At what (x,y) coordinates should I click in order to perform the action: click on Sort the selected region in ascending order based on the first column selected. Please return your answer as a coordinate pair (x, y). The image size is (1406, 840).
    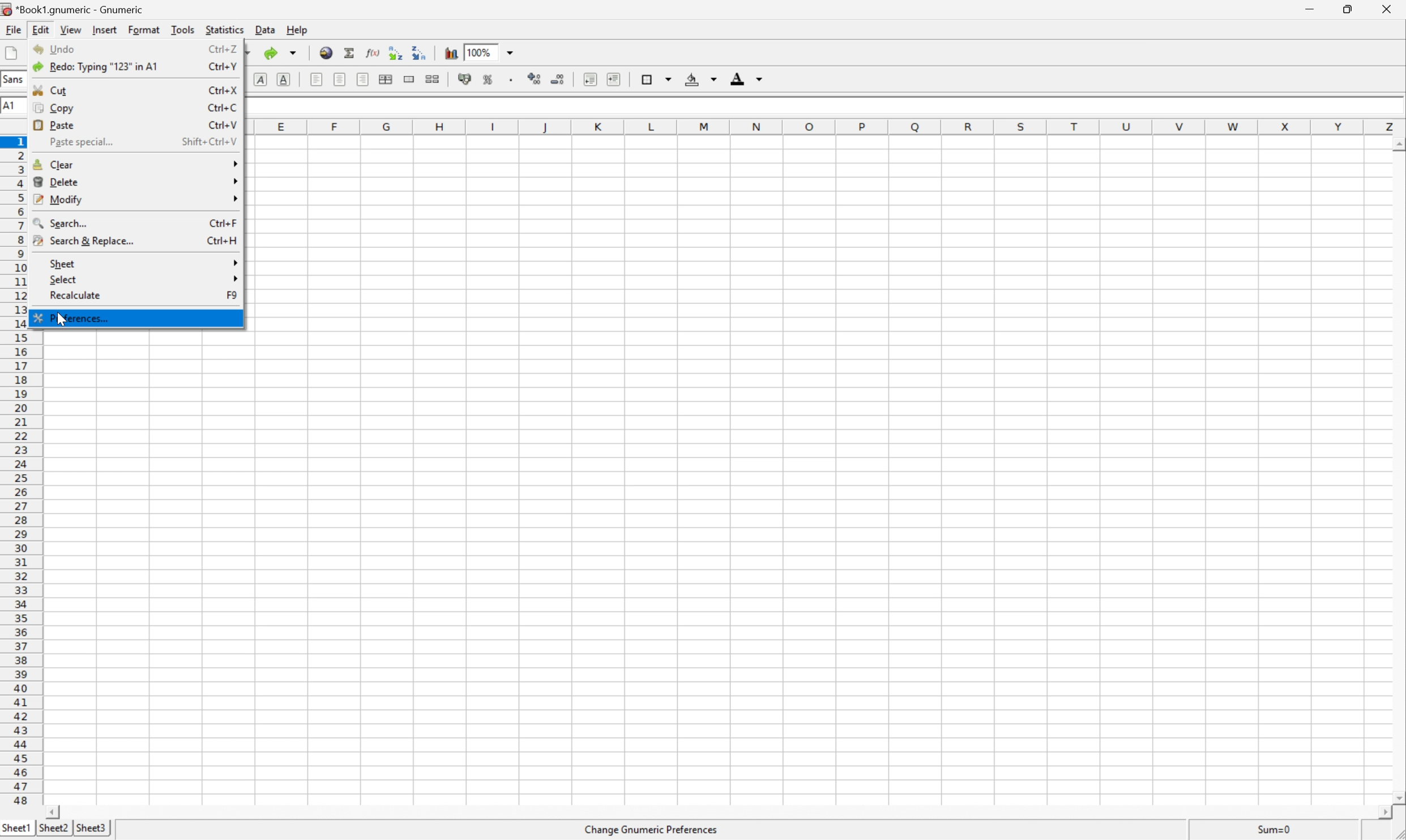
    Looking at the image, I should click on (395, 52).